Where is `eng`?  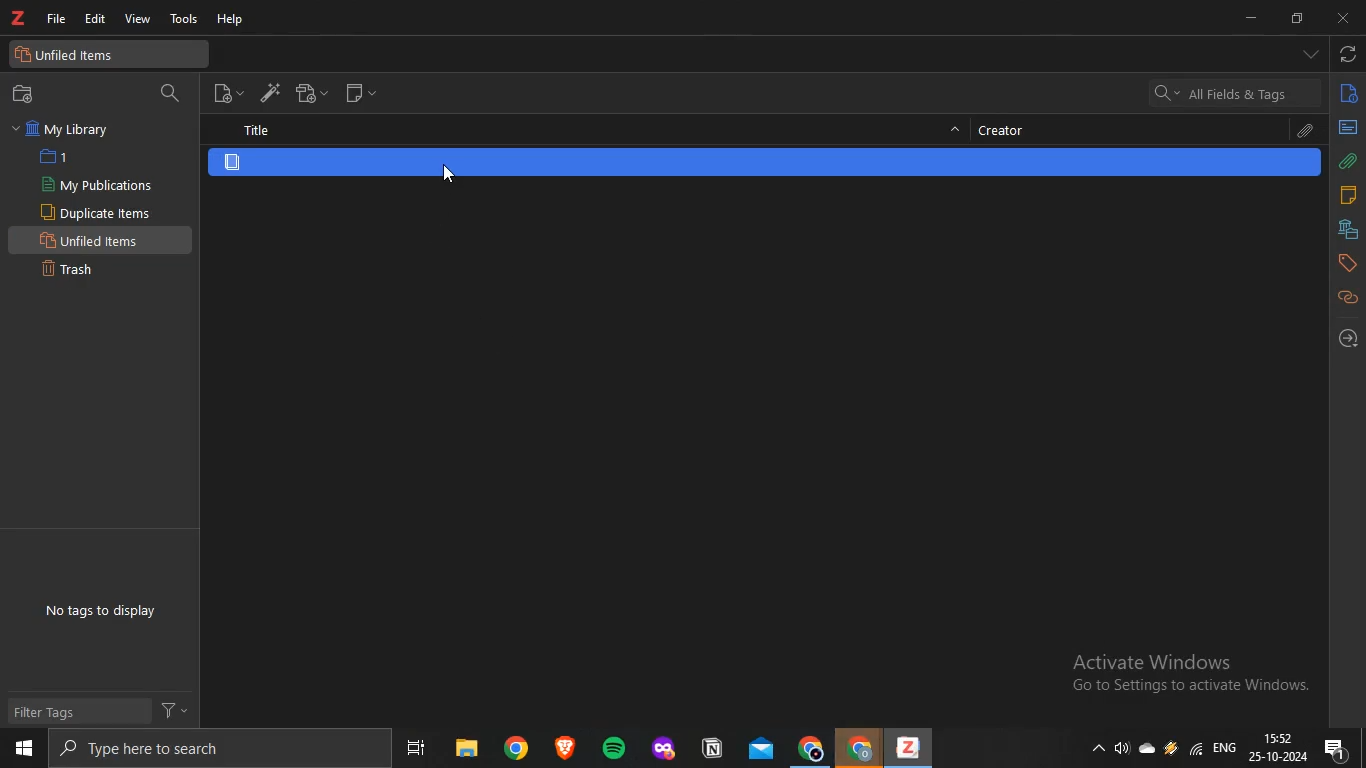 eng is located at coordinates (1227, 745).